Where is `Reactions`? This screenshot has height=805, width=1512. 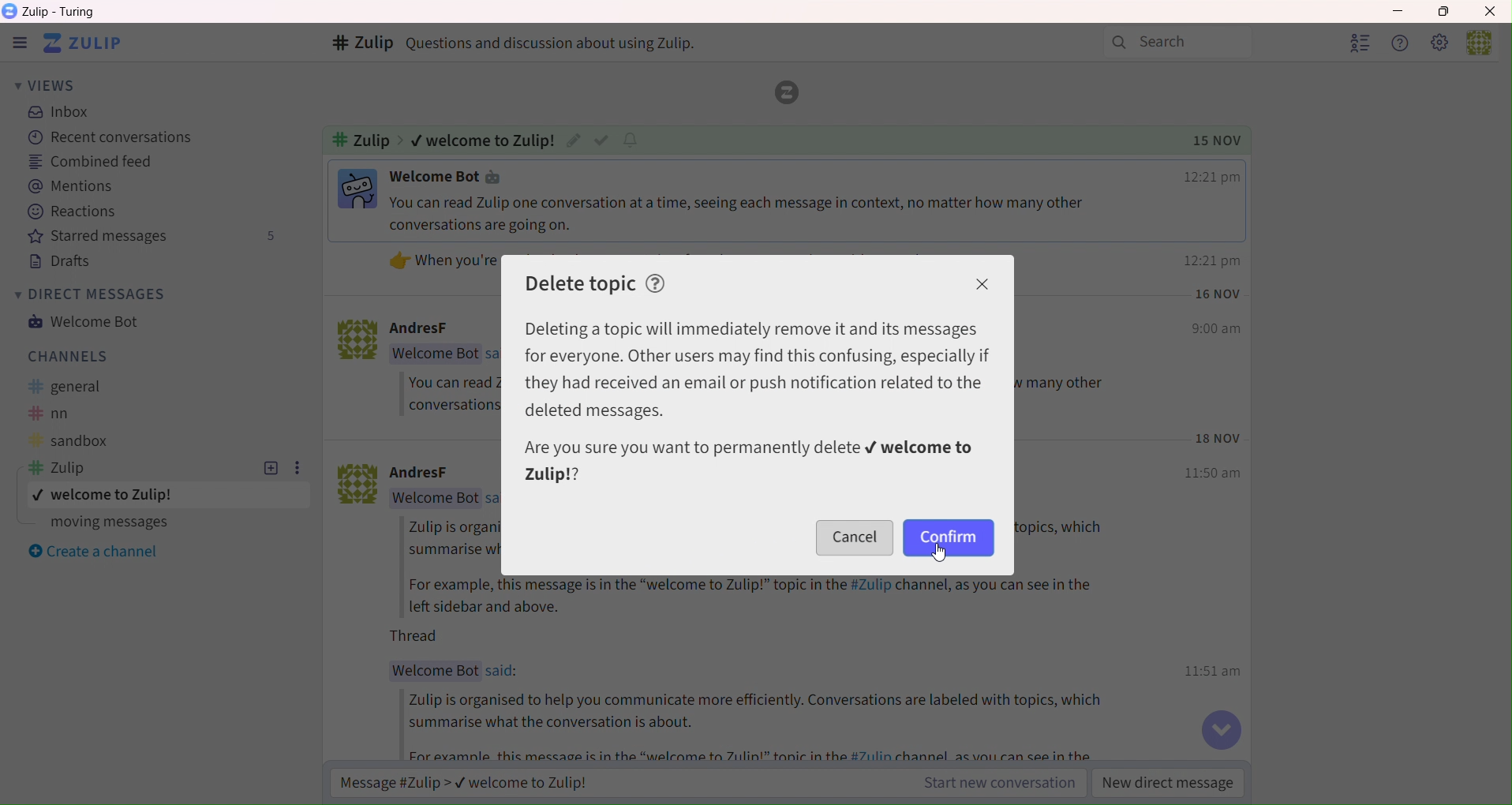 Reactions is located at coordinates (74, 211).